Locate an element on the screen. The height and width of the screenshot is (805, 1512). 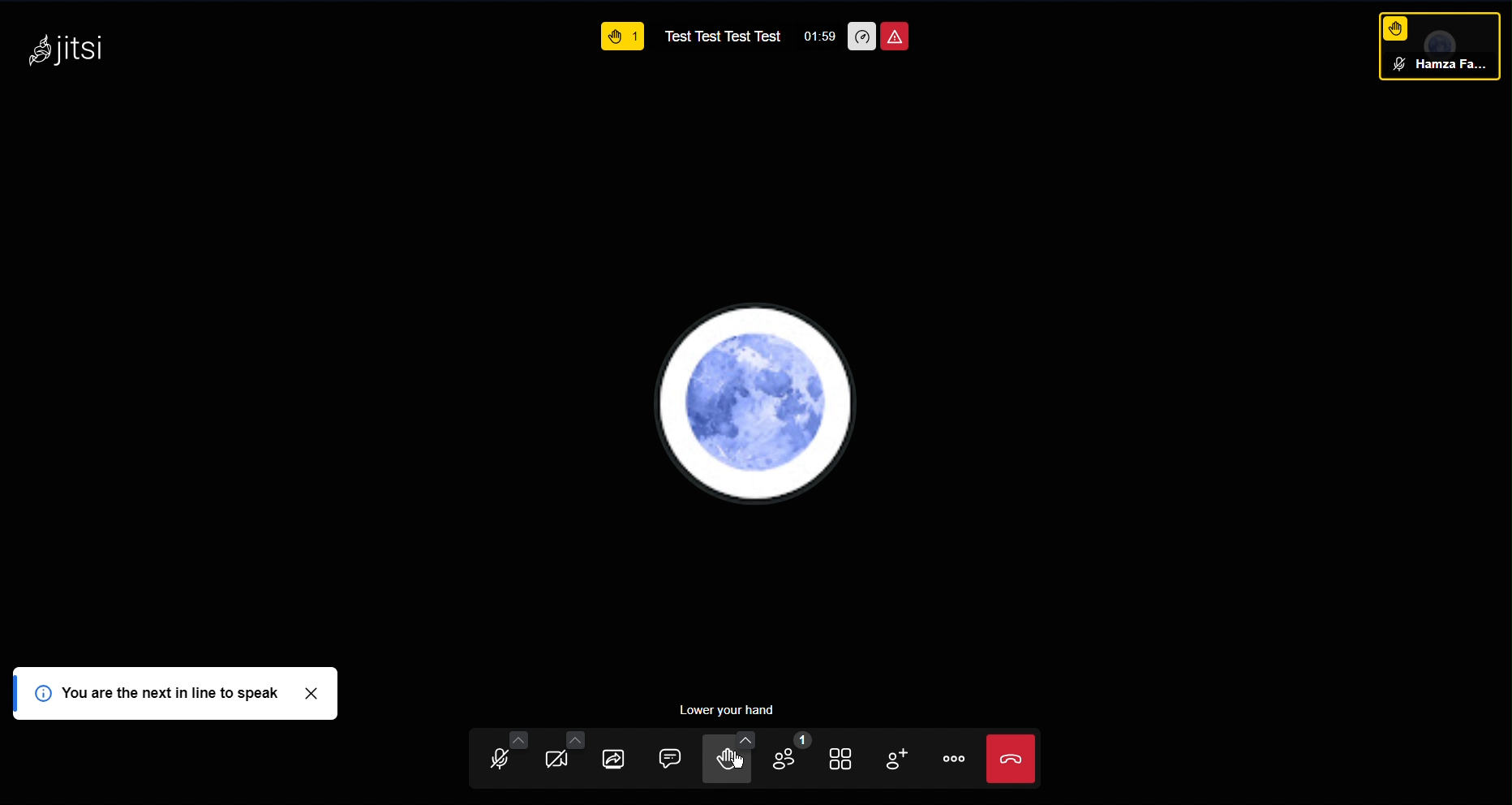
Toggle View is located at coordinates (851, 756).